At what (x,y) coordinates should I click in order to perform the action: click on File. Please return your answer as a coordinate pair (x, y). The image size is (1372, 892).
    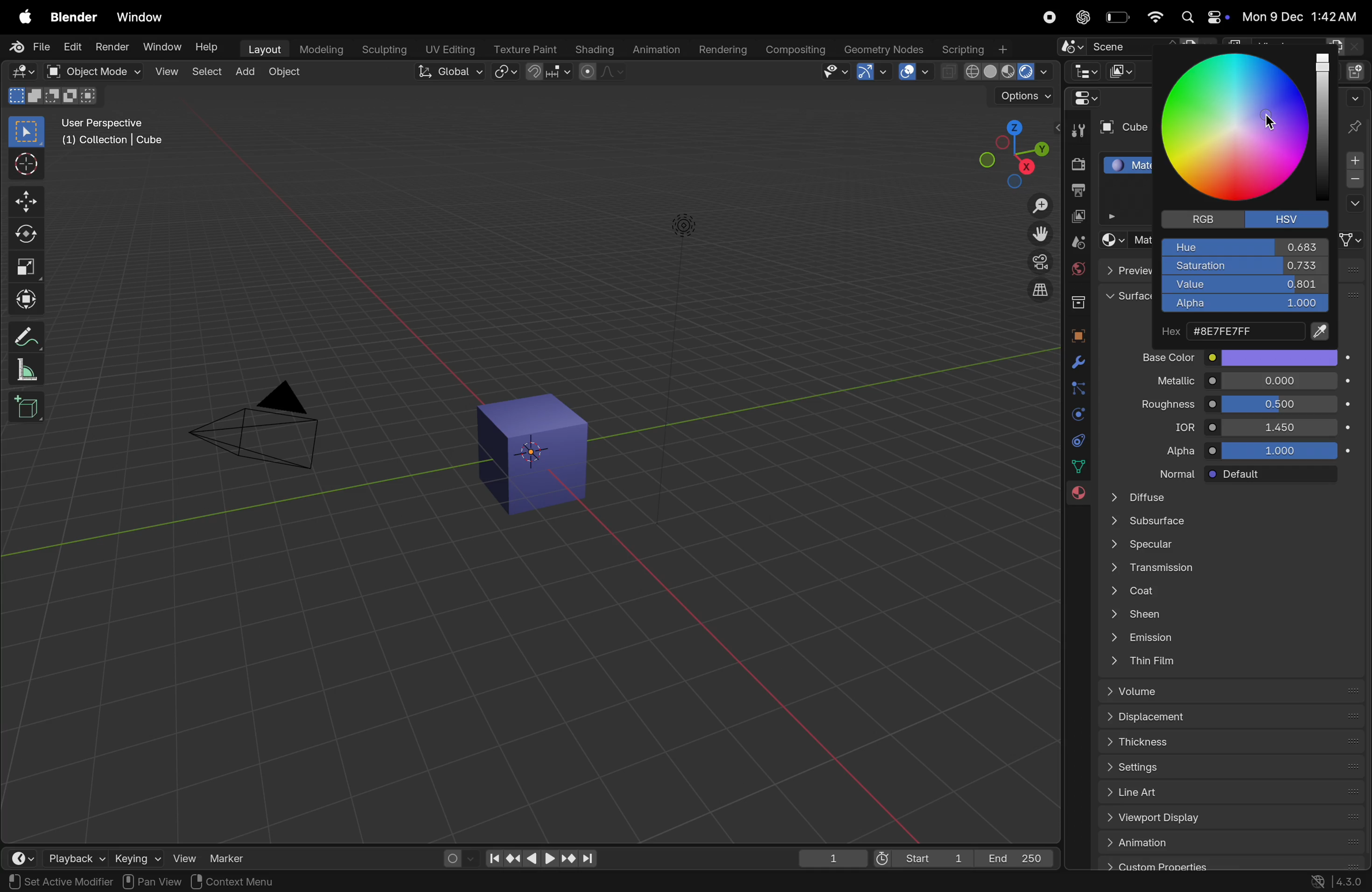
    Looking at the image, I should click on (32, 47).